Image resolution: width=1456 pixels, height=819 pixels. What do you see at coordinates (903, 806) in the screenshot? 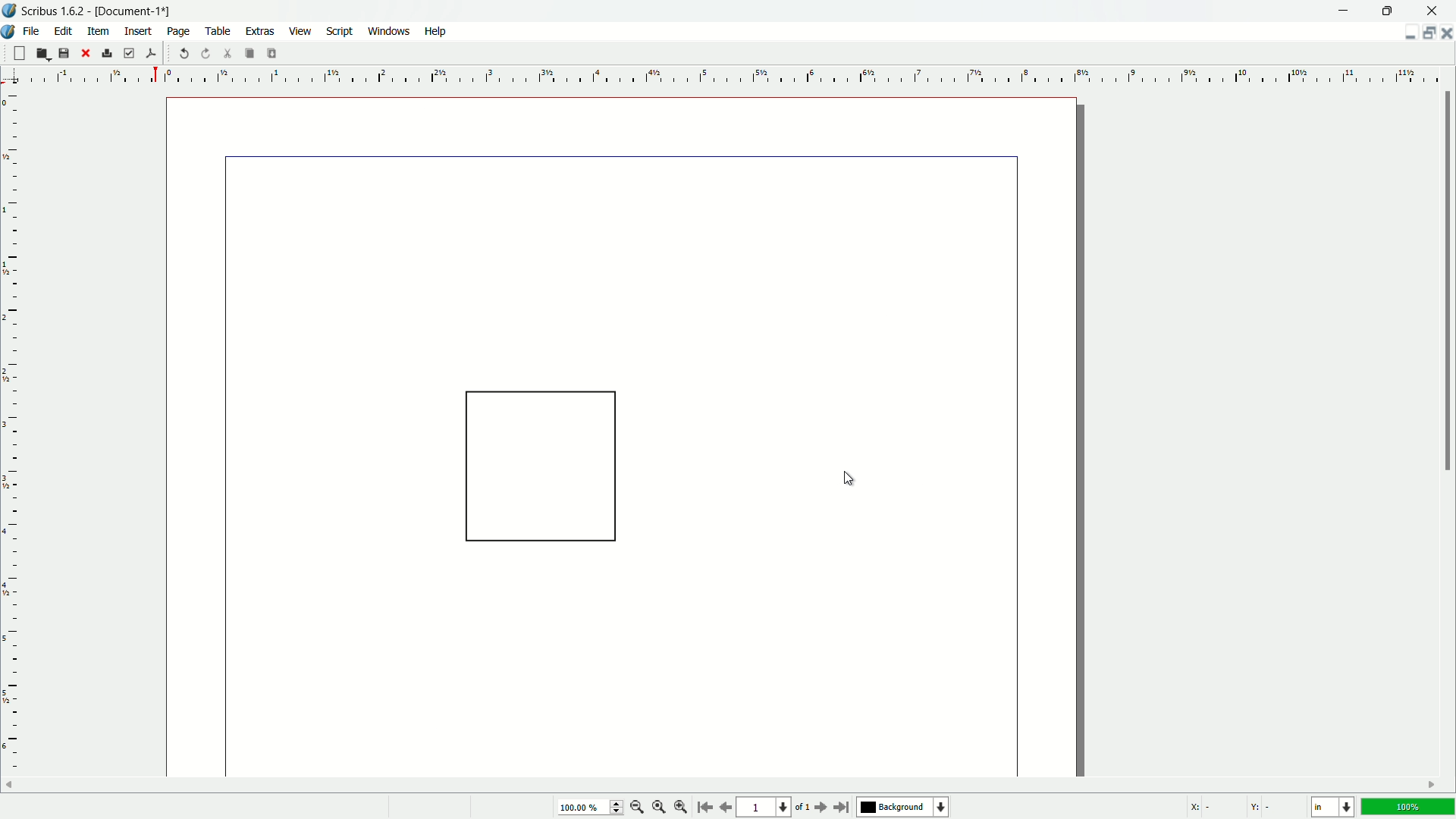
I see `background` at bounding box center [903, 806].